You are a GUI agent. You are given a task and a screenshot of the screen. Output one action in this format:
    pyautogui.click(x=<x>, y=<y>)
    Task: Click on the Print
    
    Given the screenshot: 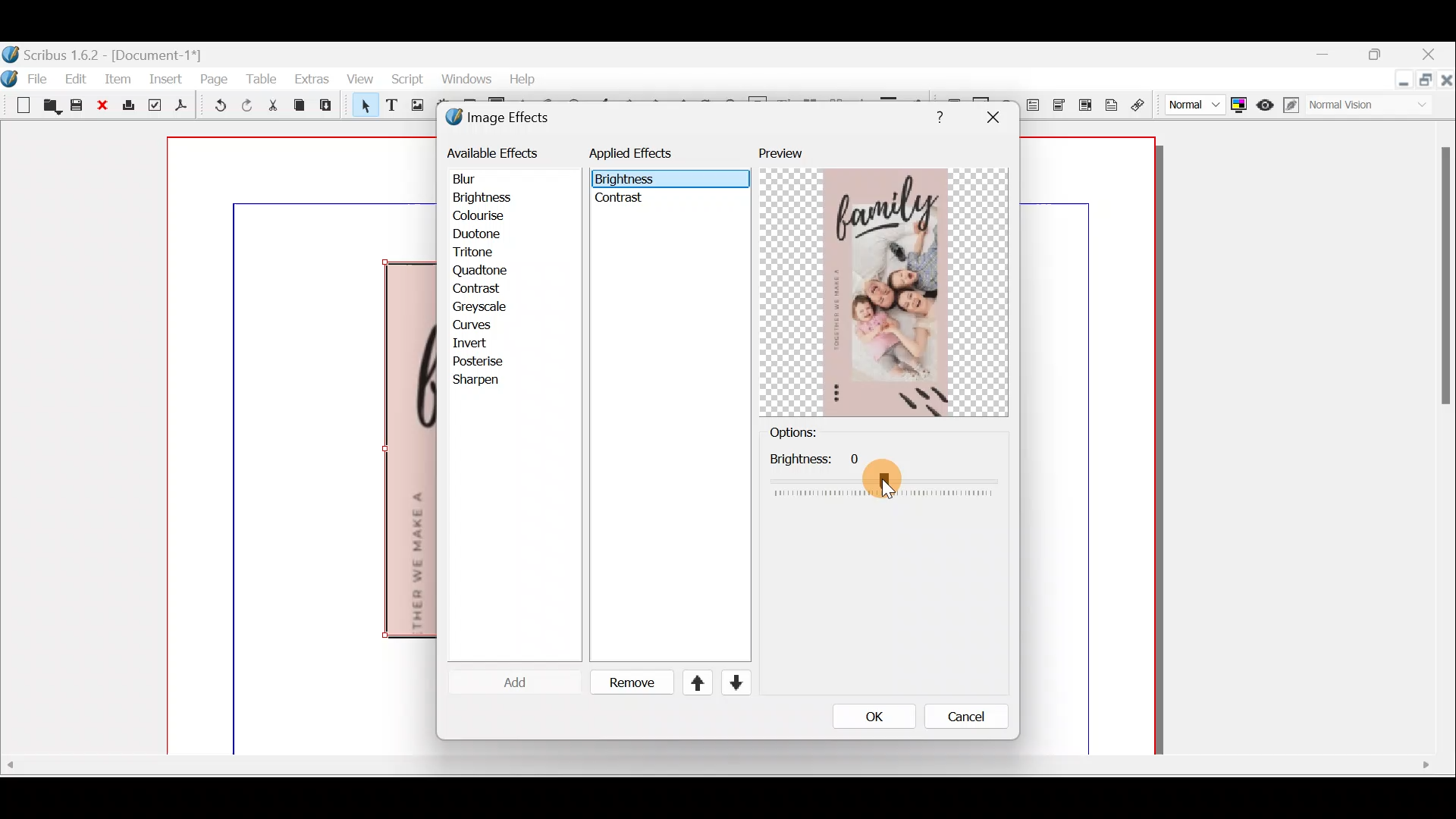 What is the action you would take?
    pyautogui.click(x=127, y=106)
    